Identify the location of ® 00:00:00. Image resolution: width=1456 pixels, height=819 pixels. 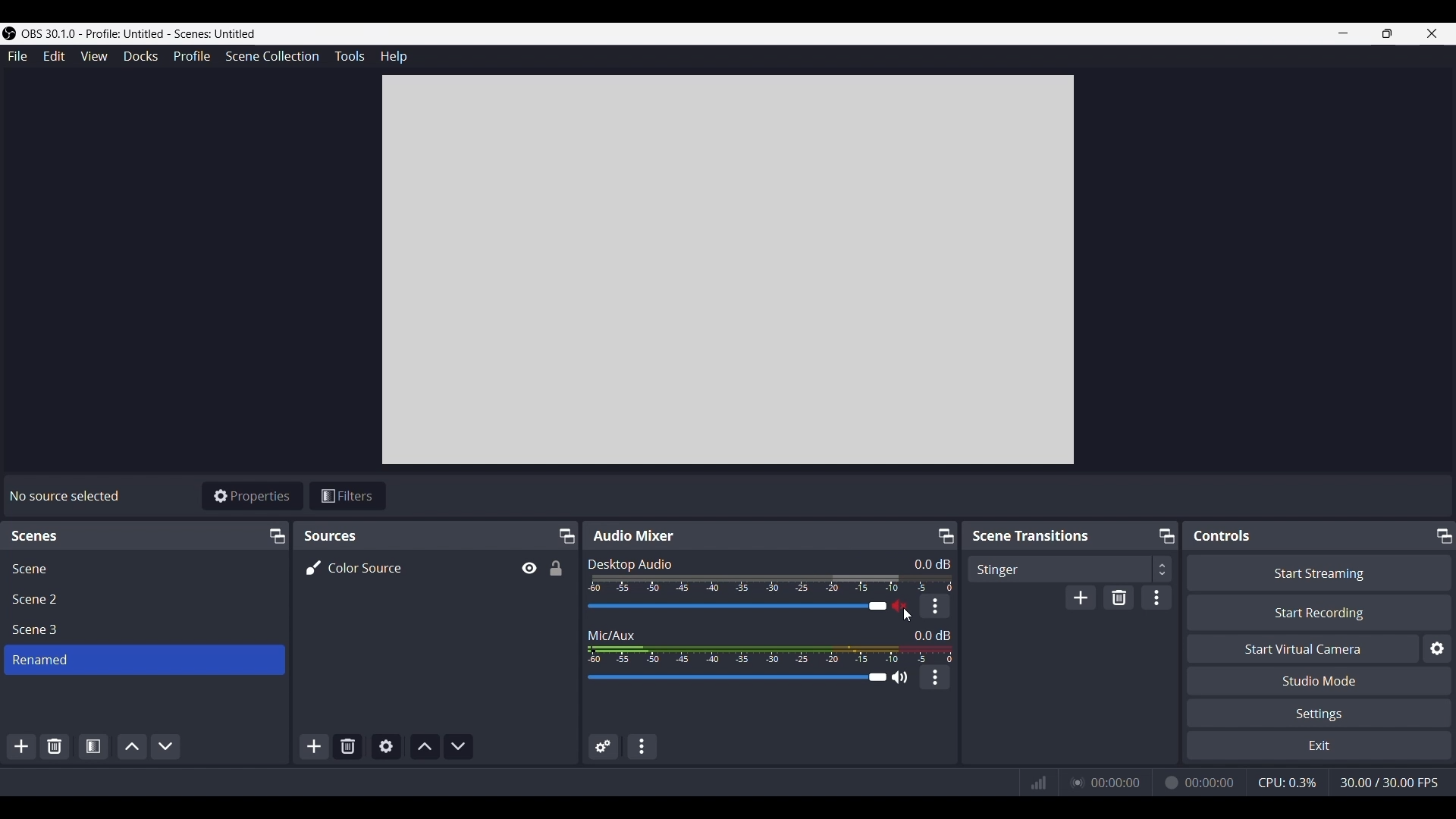
(1109, 780).